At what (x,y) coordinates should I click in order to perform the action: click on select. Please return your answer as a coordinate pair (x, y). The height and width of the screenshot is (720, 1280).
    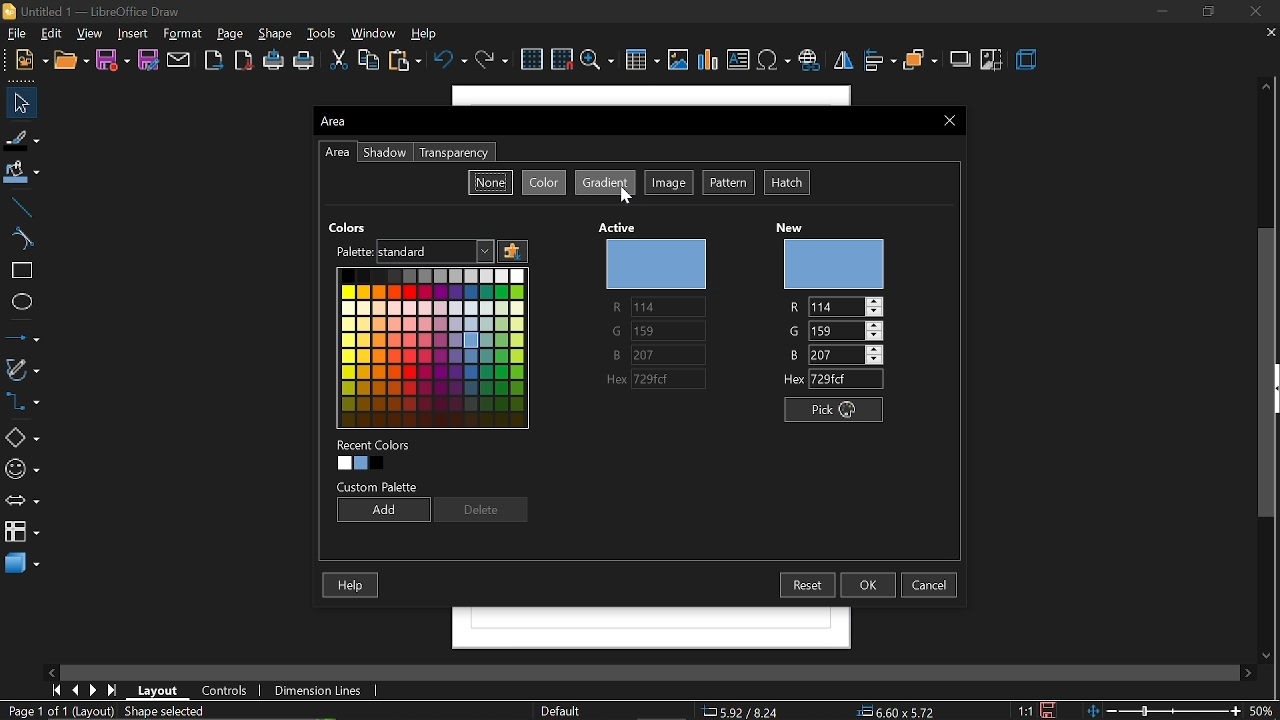
    Looking at the image, I should click on (21, 103).